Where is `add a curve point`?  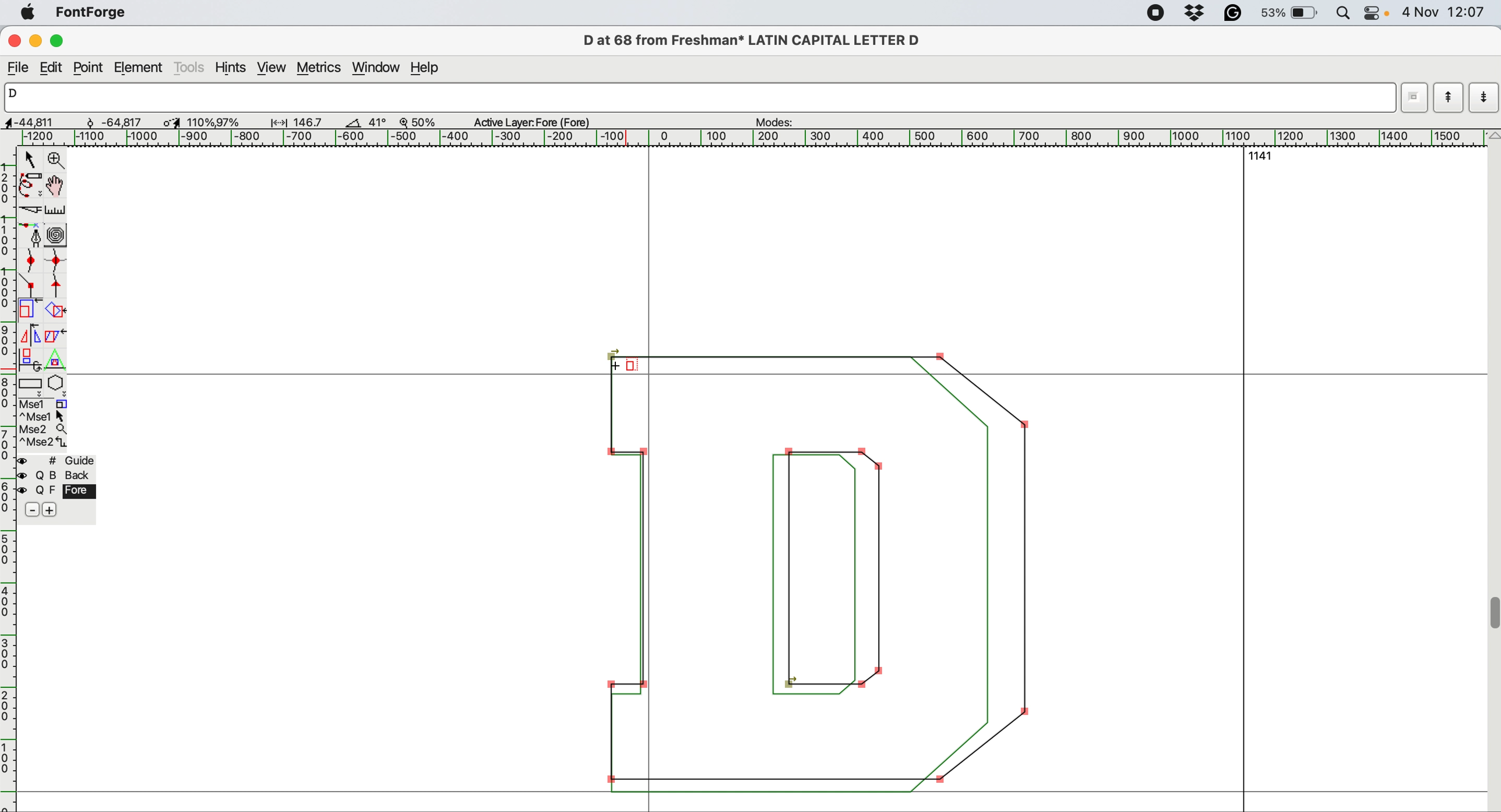
add a curve point is located at coordinates (28, 262).